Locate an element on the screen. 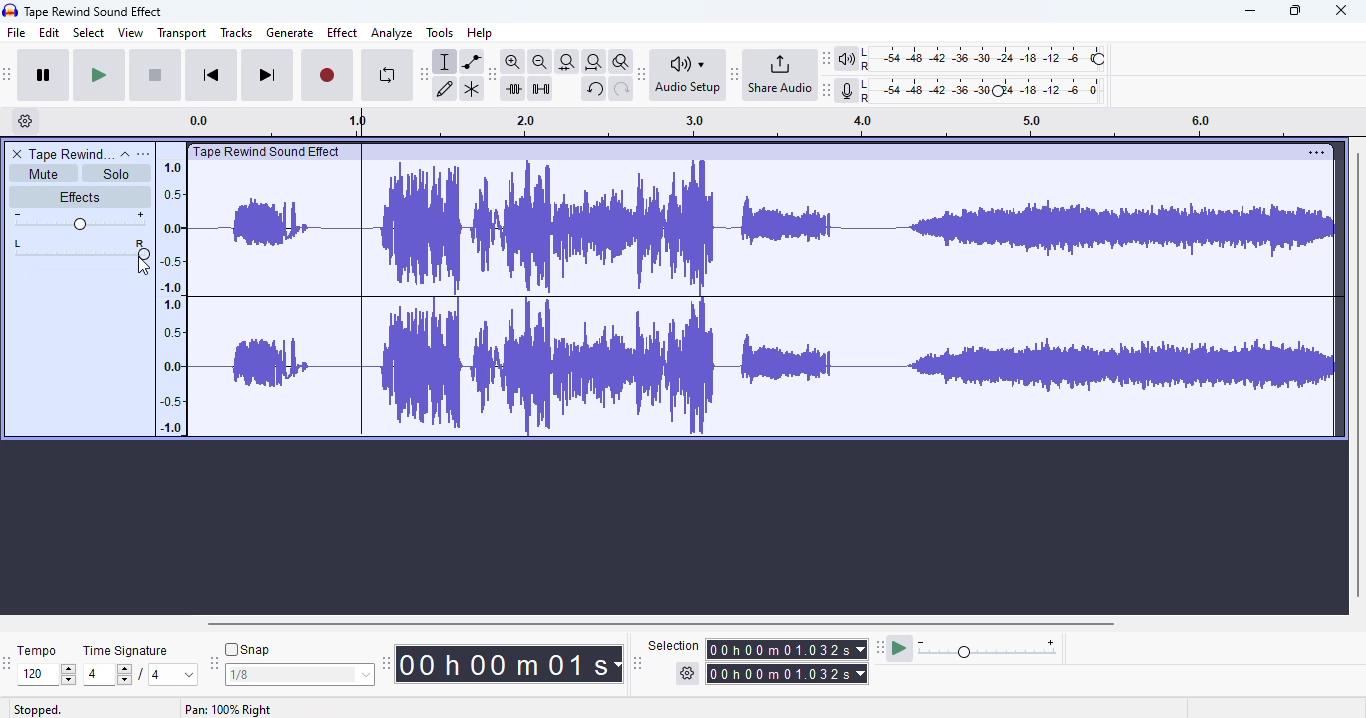  skip to end is located at coordinates (266, 75).